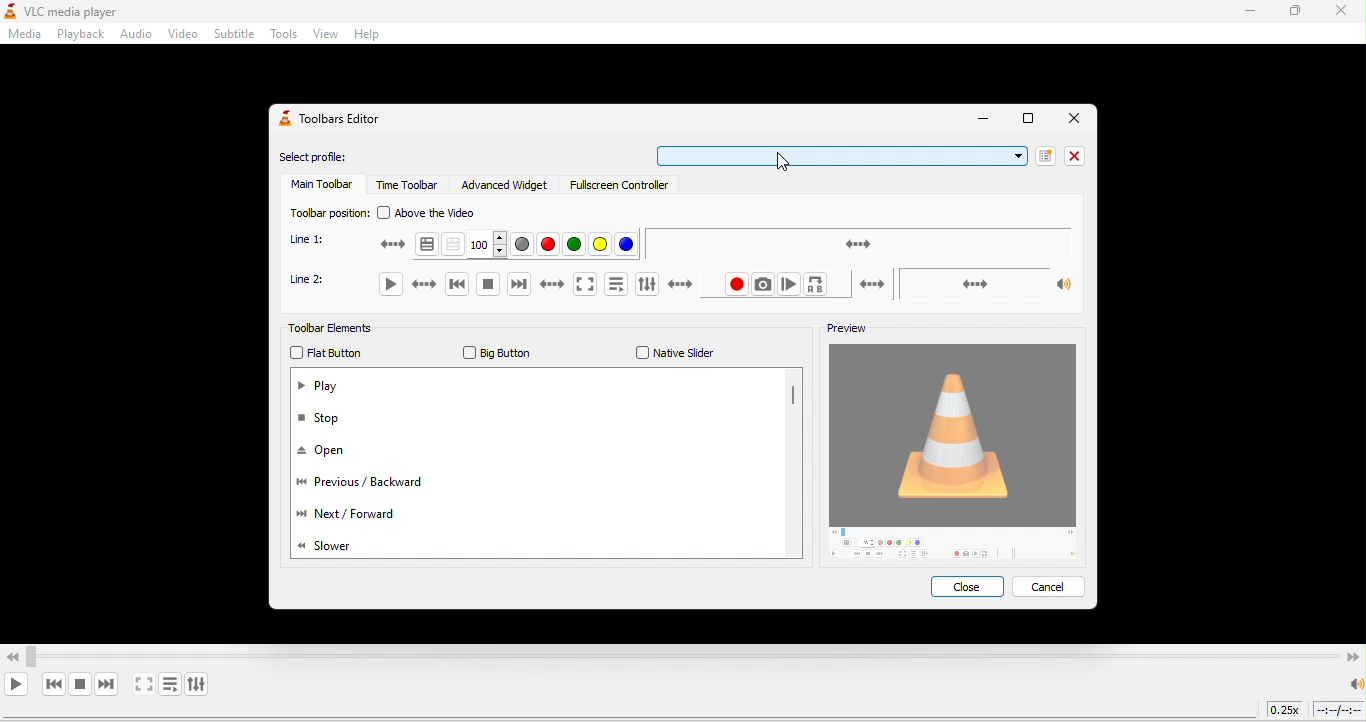  I want to click on time toolbar, so click(409, 185).